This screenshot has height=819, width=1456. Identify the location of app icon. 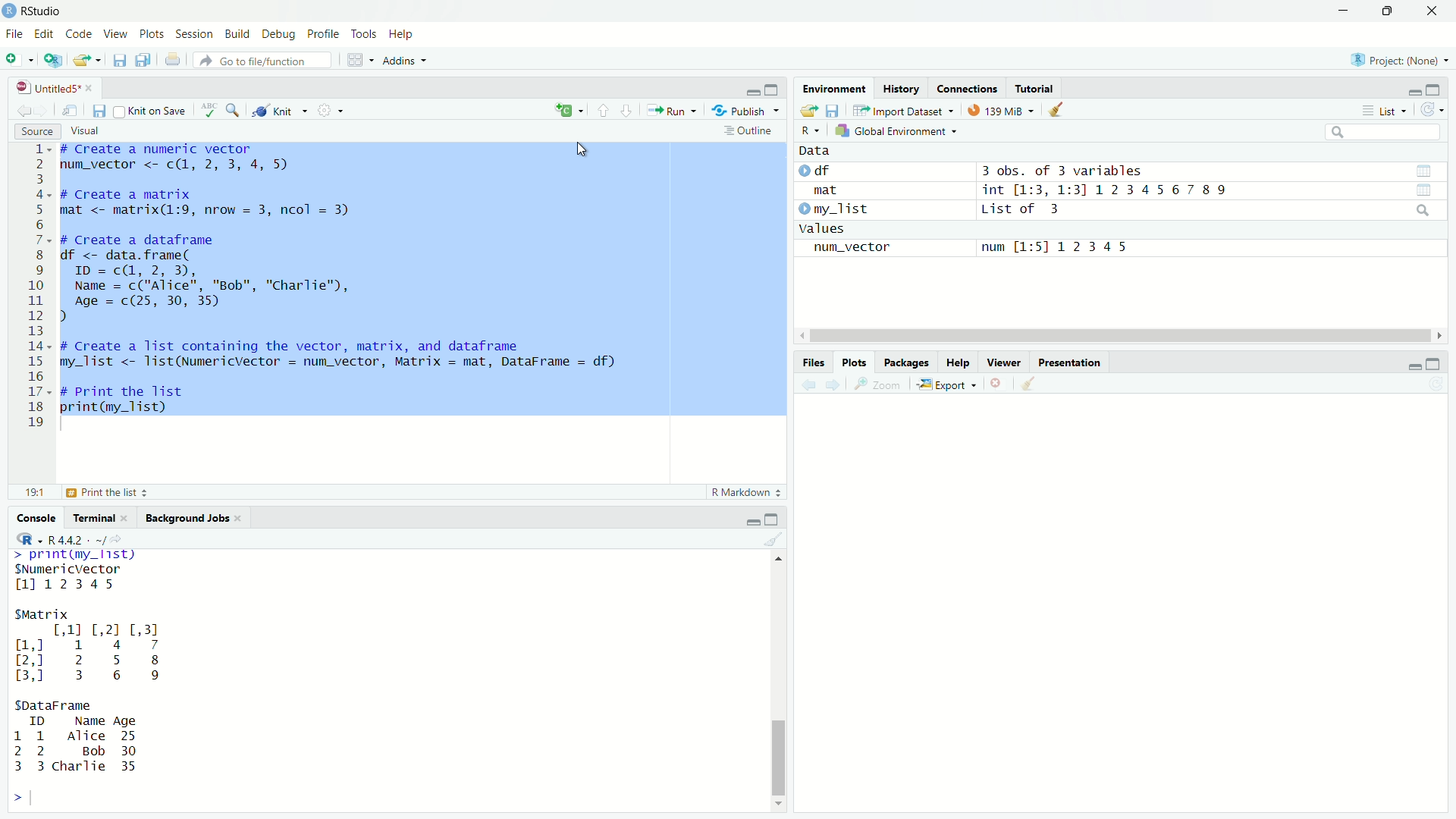
(10, 10).